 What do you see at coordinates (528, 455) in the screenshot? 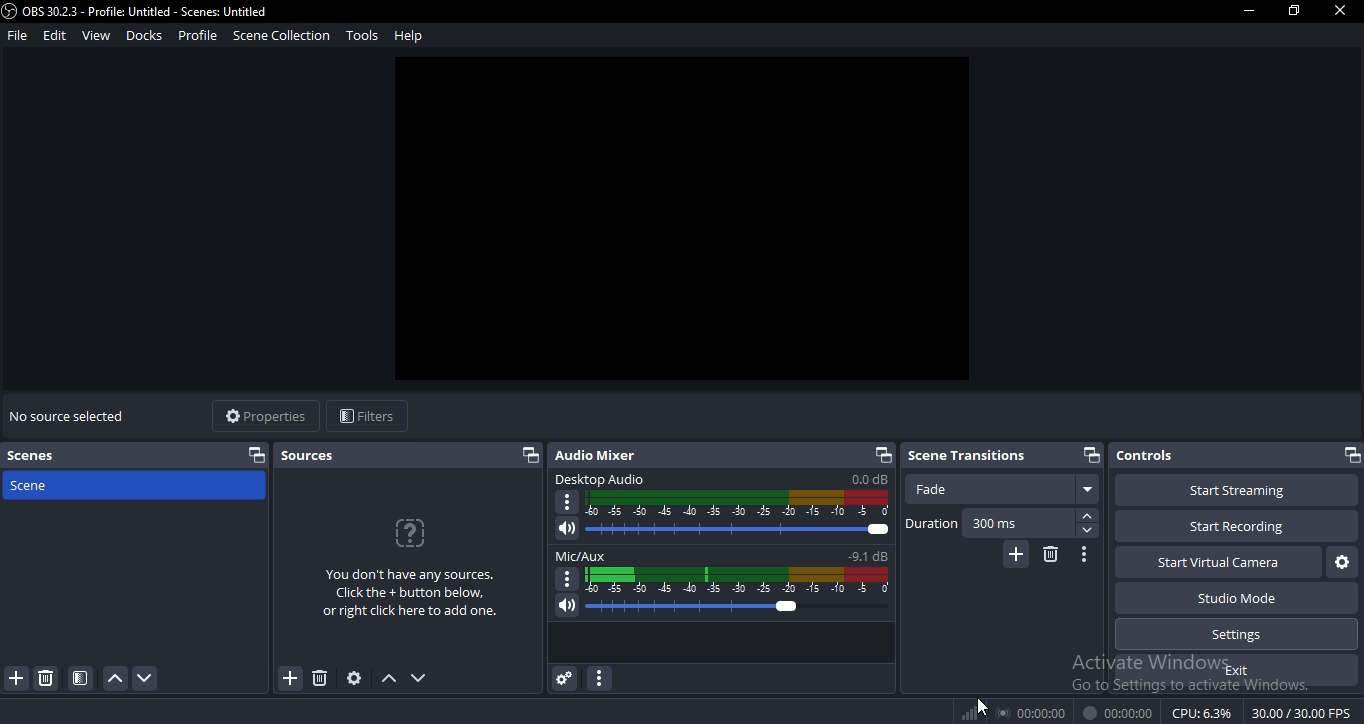
I see `restore` at bounding box center [528, 455].